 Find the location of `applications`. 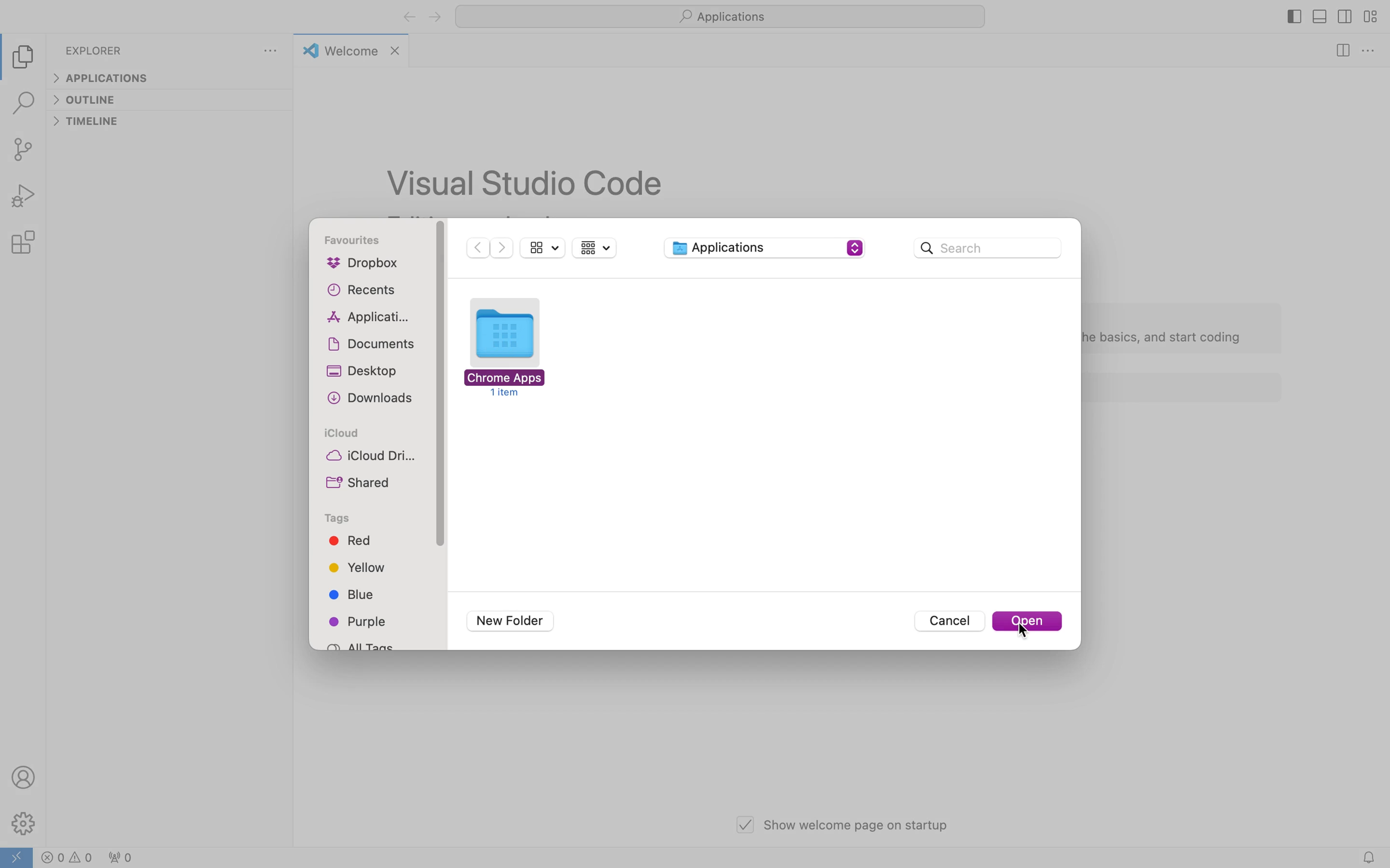

applications is located at coordinates (369, 318).